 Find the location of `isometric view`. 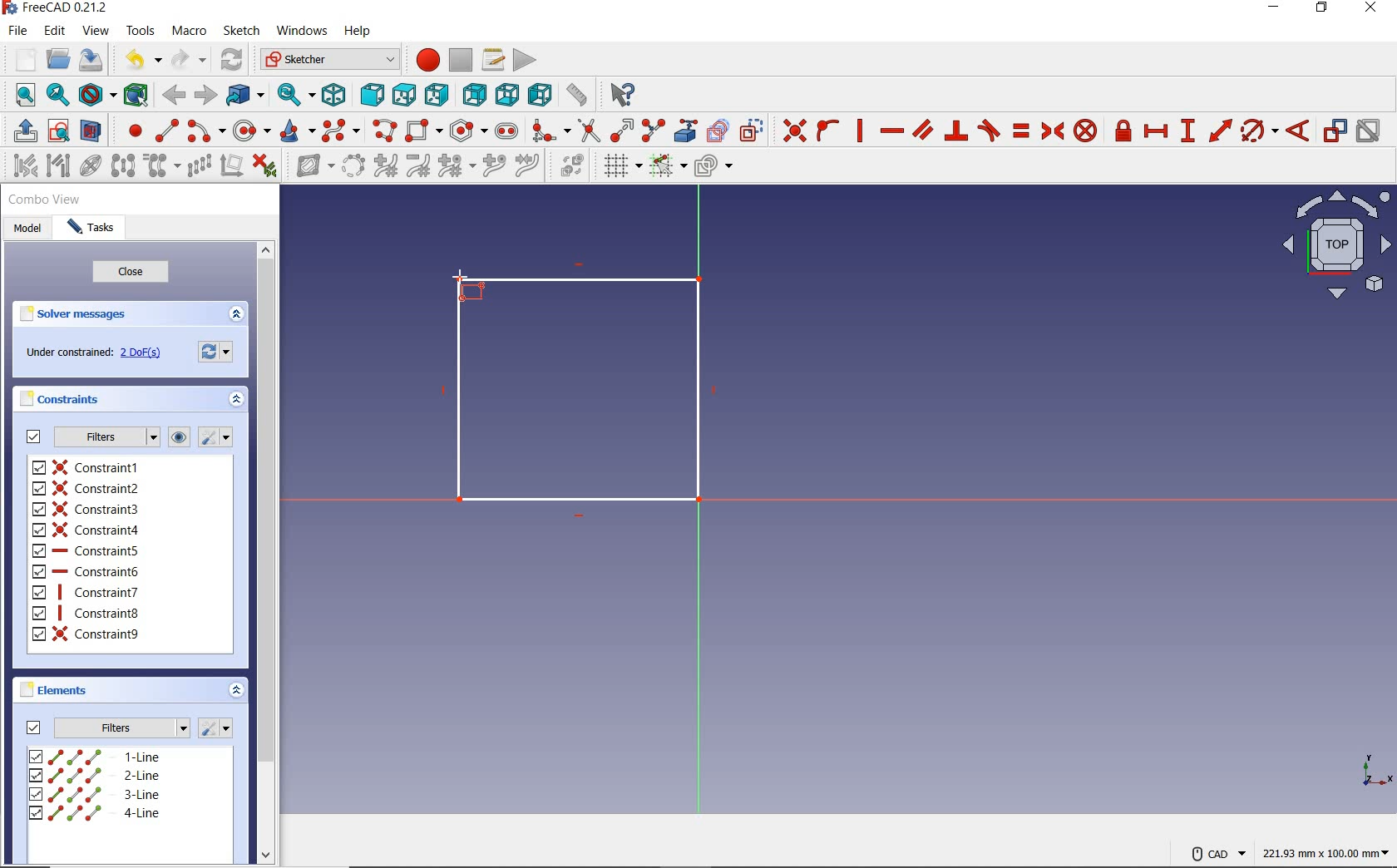

isometric view is located at coordinates (1337, 248).